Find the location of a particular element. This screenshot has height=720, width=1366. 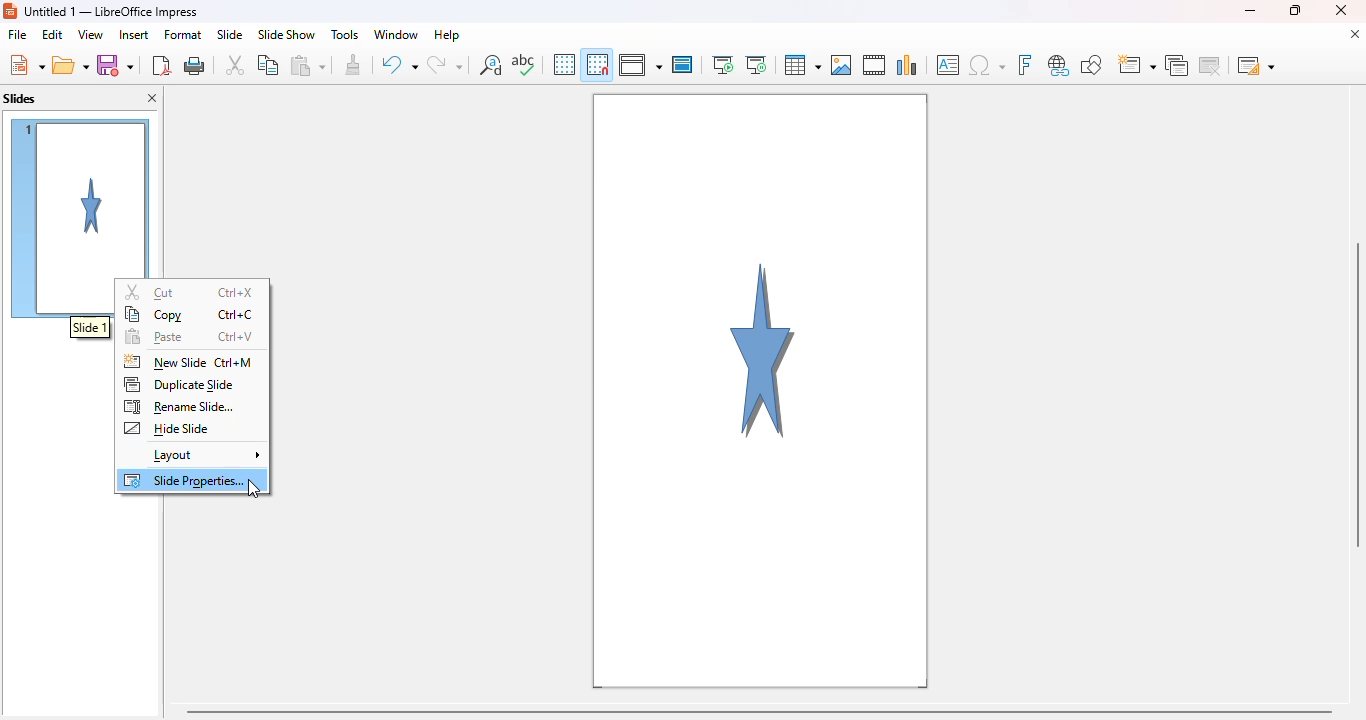

insert chart is located at coordinates (908, 65).